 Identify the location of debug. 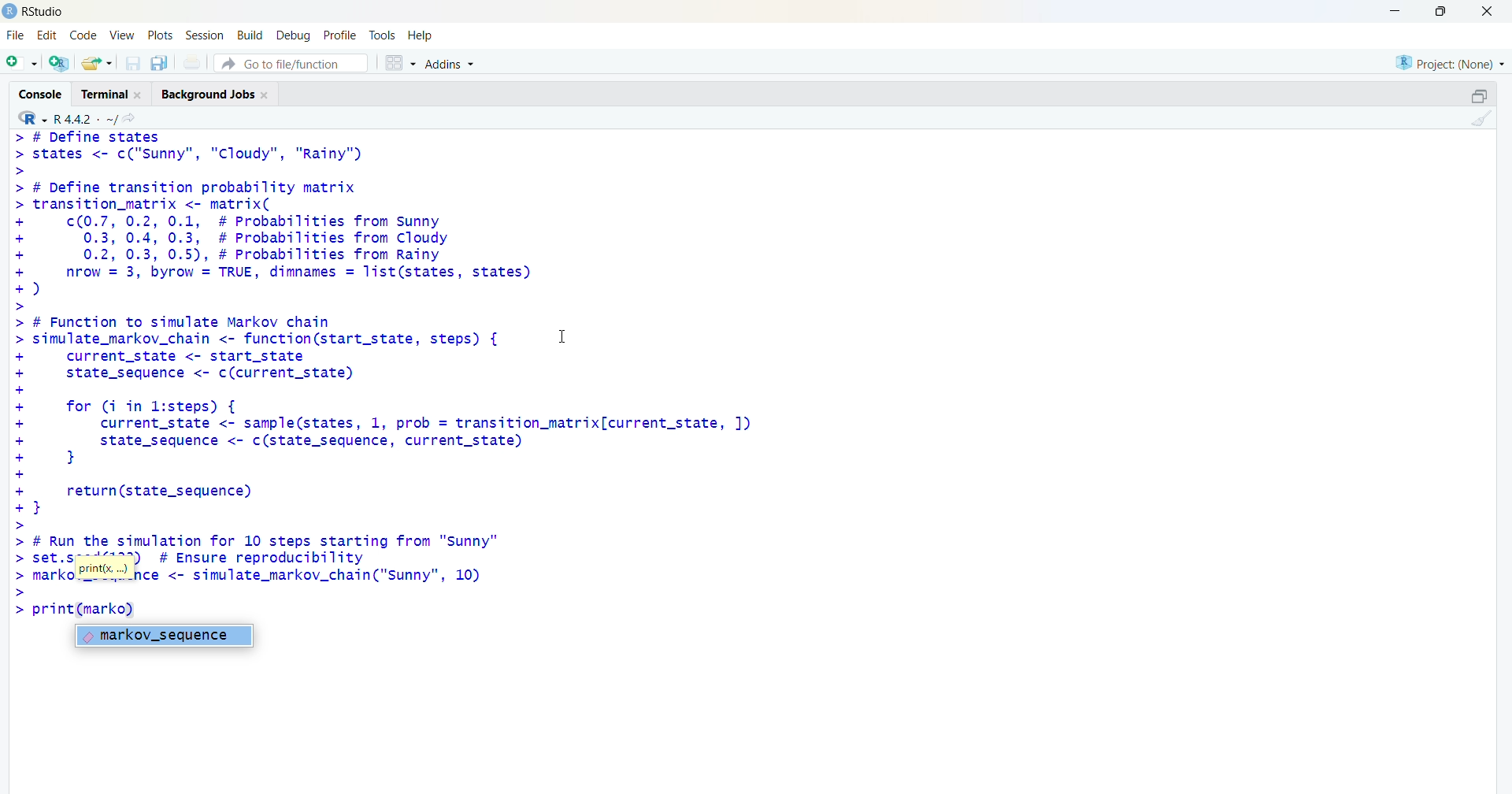
(292, 35).